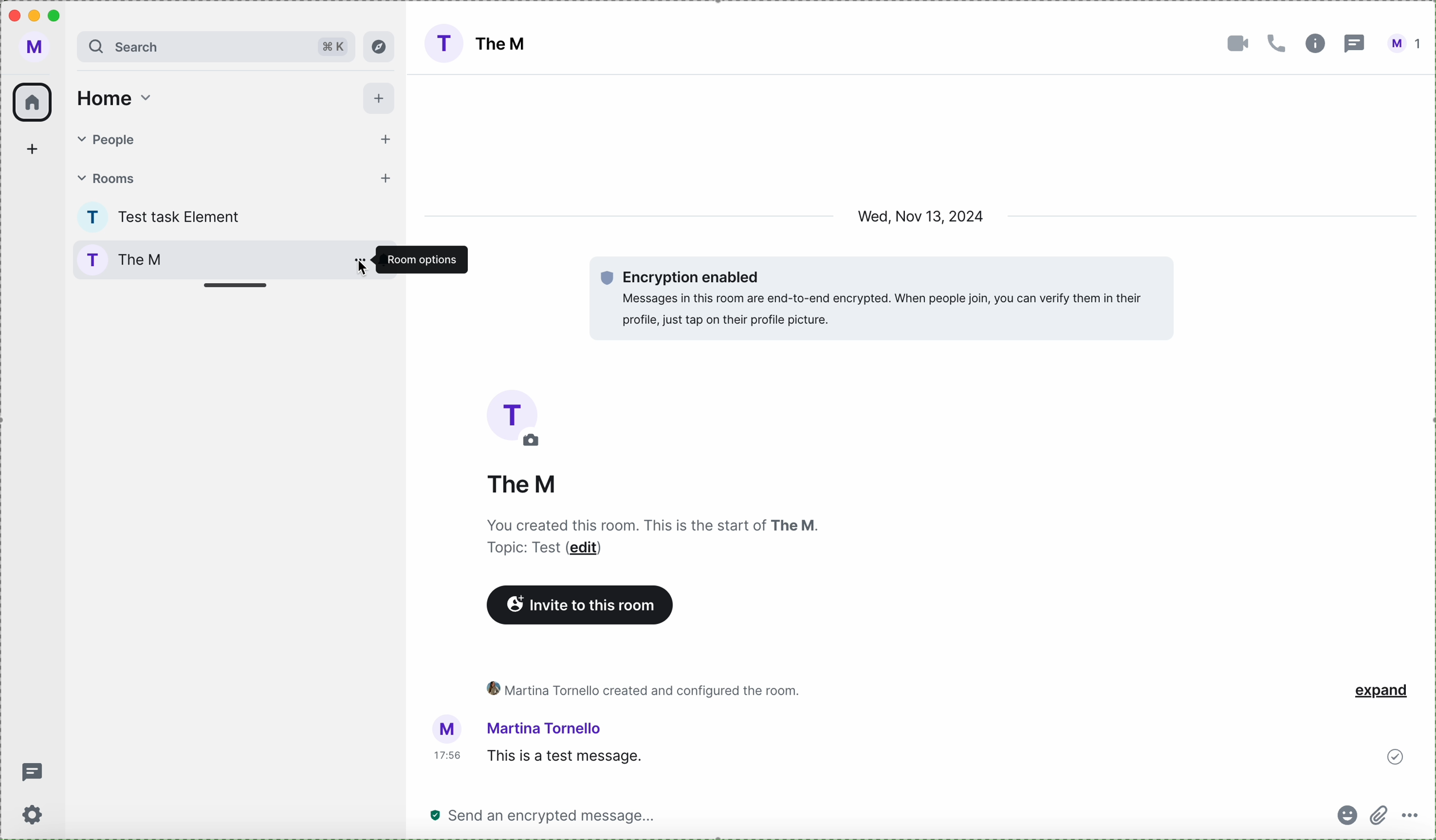 The height and width of the screenshot is (840, 1436). Describe the element at coordinates (242, 286) in the screenshot. I see `adjust` at that location.